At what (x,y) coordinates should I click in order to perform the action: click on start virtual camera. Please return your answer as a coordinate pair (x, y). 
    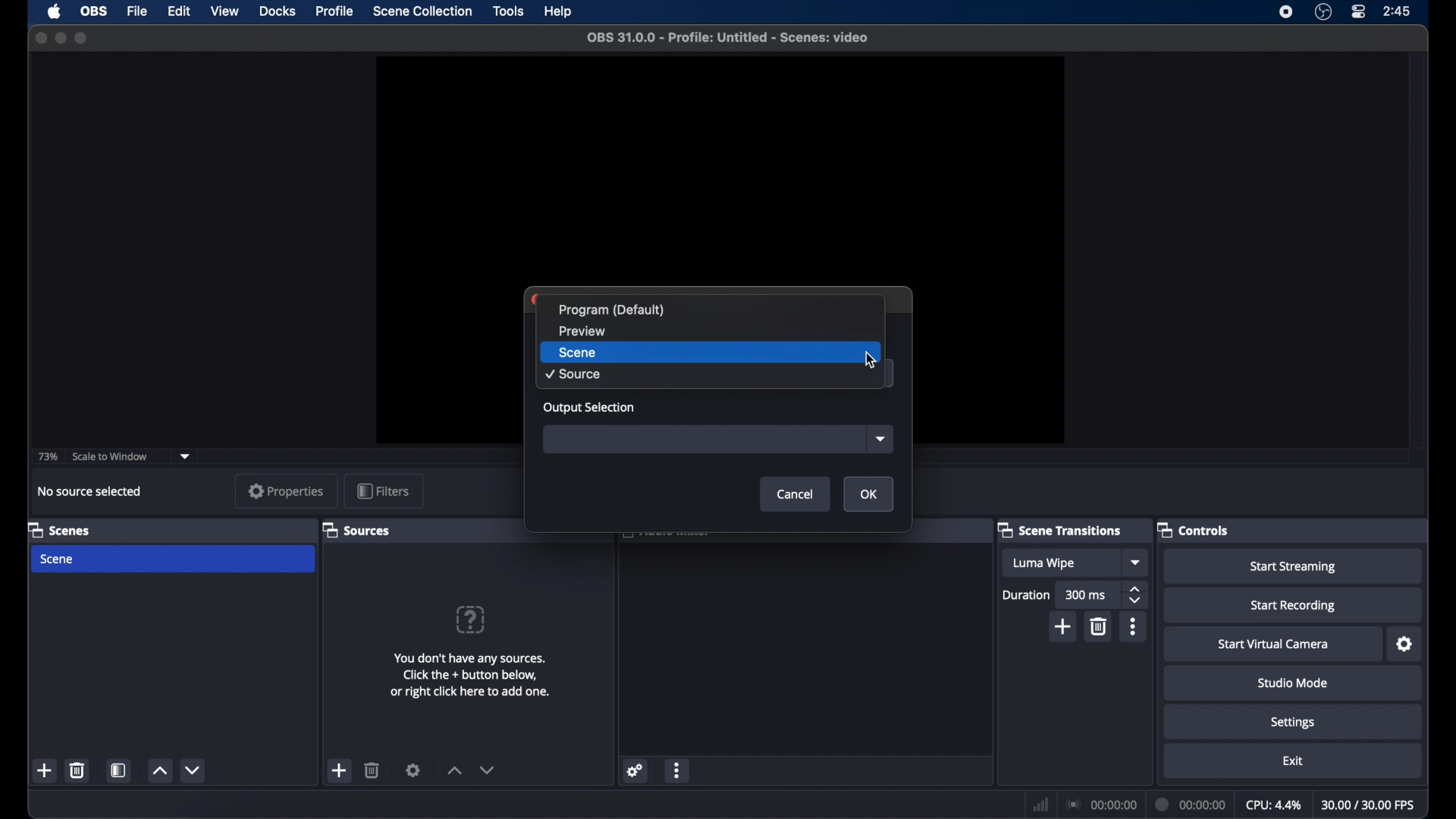
    Looking at the image, I should click on (1274, 645).